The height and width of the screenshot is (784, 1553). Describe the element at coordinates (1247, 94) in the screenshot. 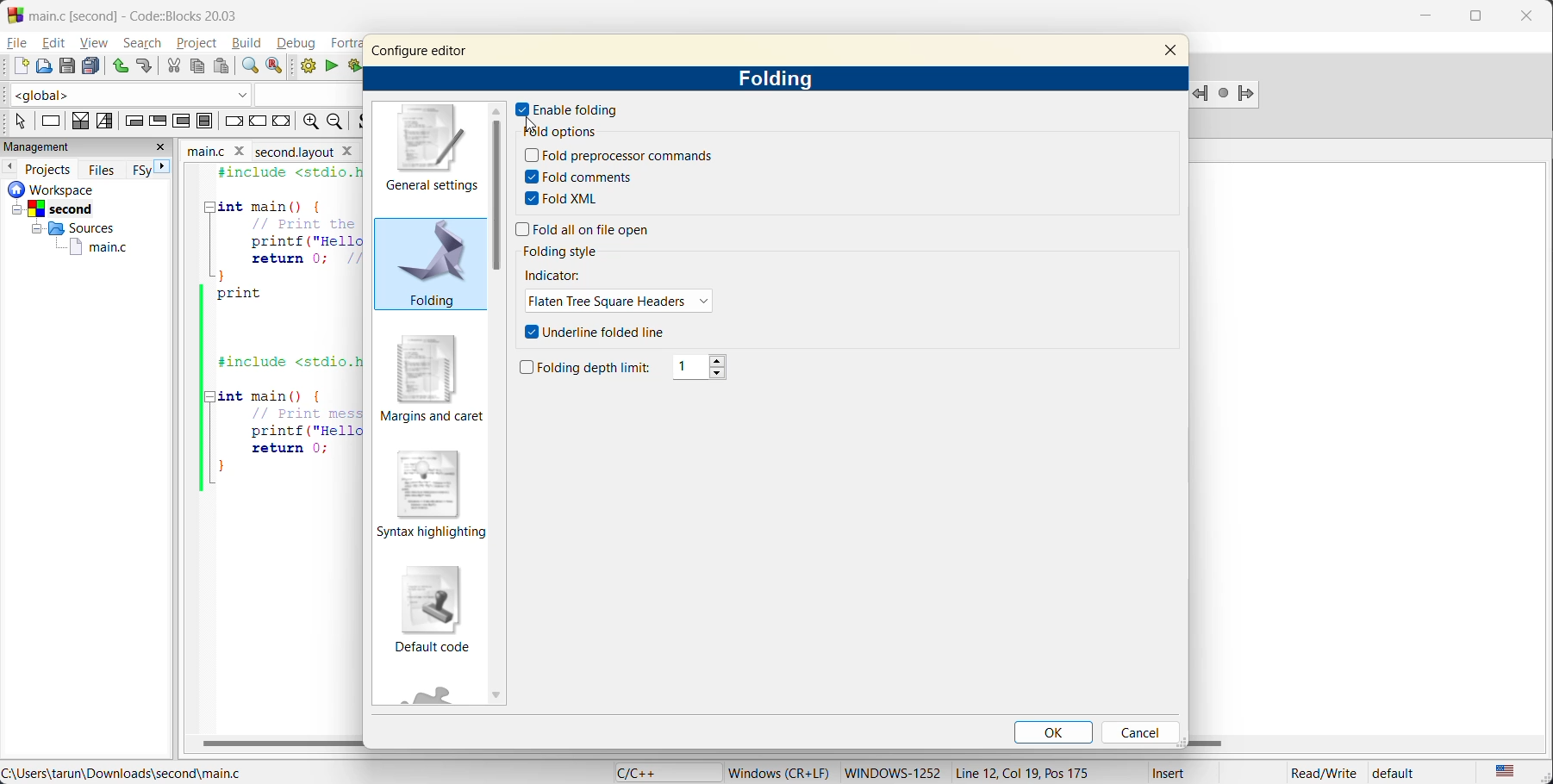

I see `jump forward` at that location.